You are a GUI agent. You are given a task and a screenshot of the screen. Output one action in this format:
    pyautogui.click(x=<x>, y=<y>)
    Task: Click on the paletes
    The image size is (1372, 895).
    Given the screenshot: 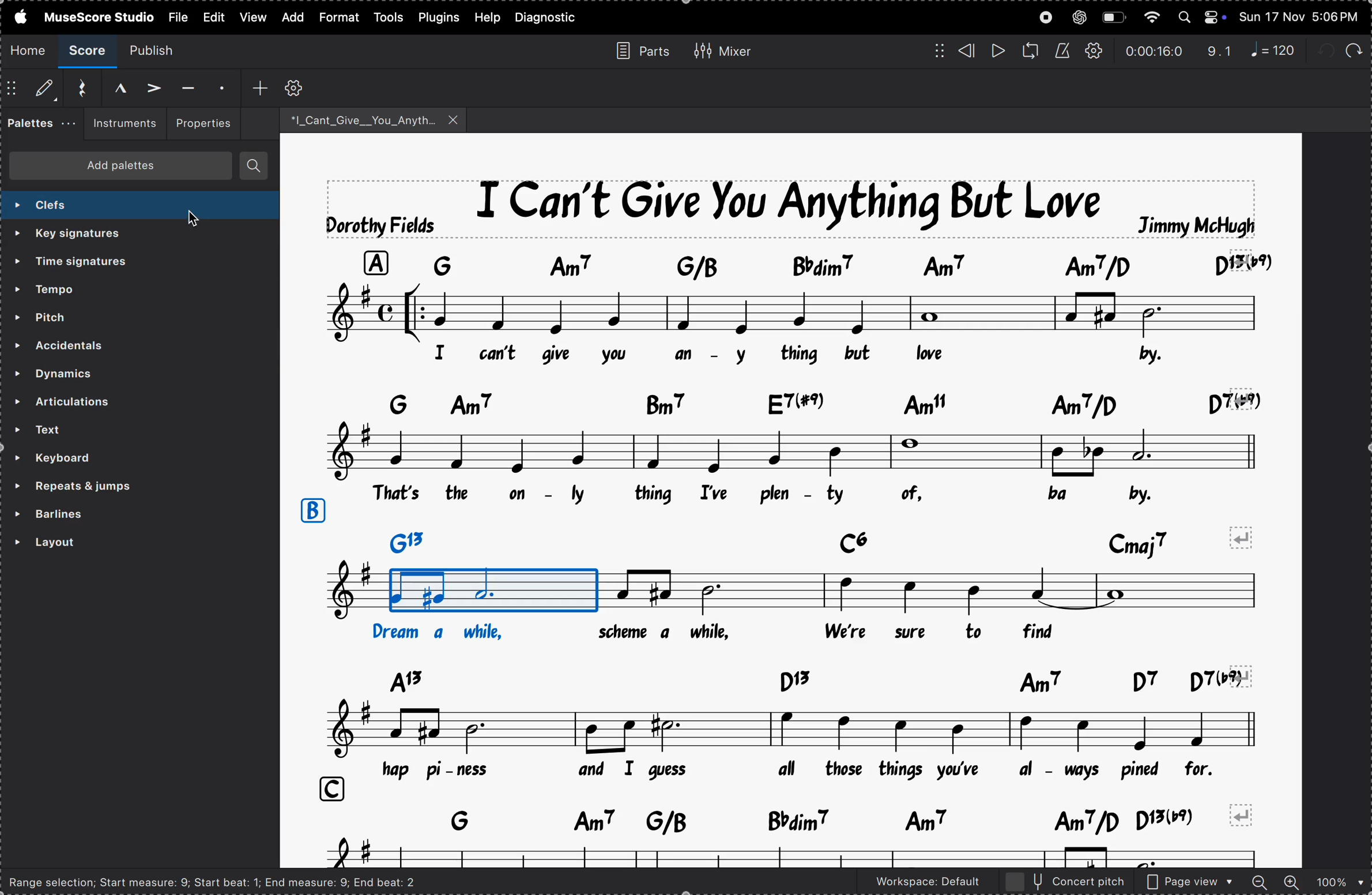 What is the action you would take?
    pyautogui.click(x=40, y=125)
    